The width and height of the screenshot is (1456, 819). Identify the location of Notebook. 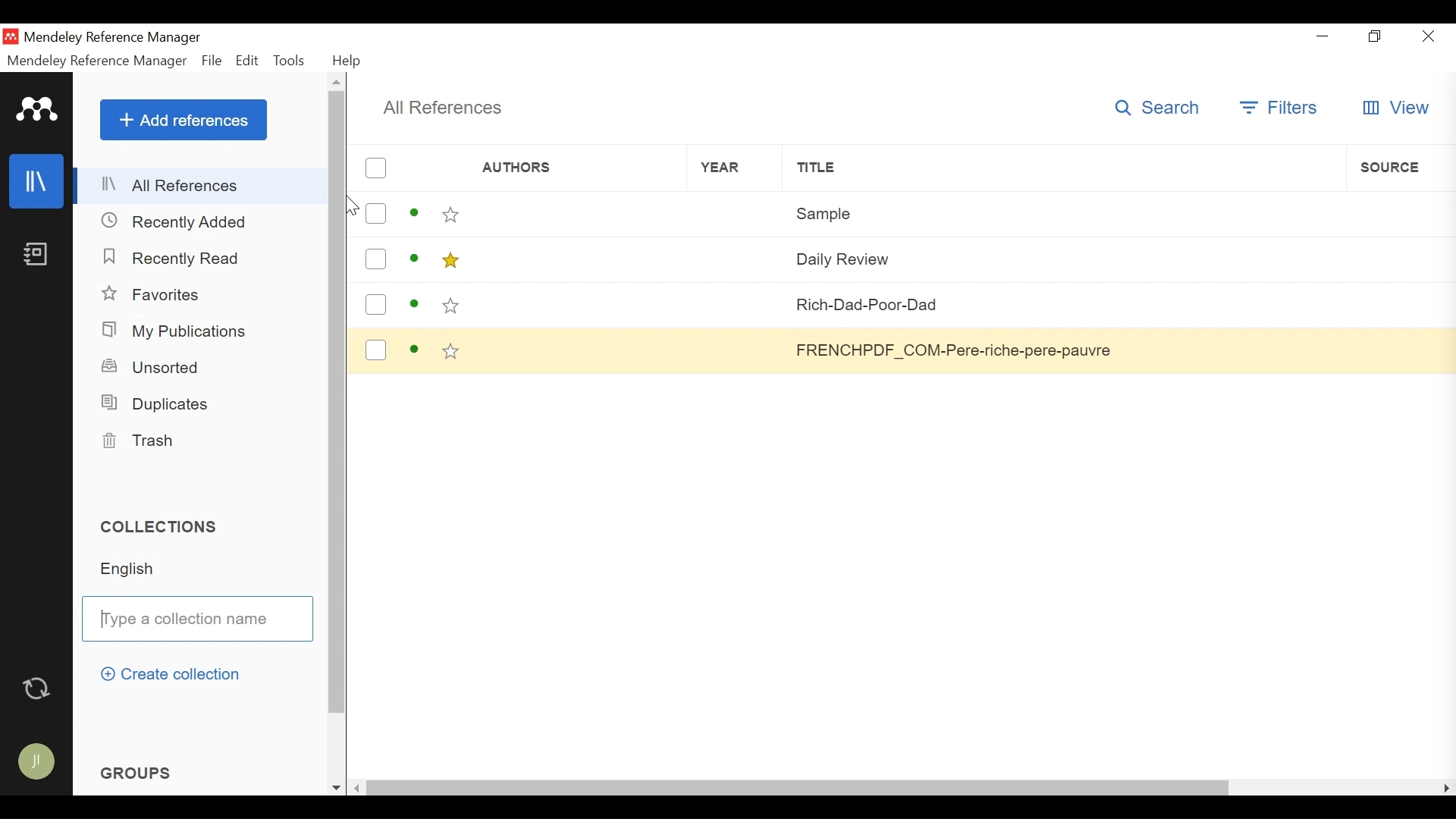
(36, 256).